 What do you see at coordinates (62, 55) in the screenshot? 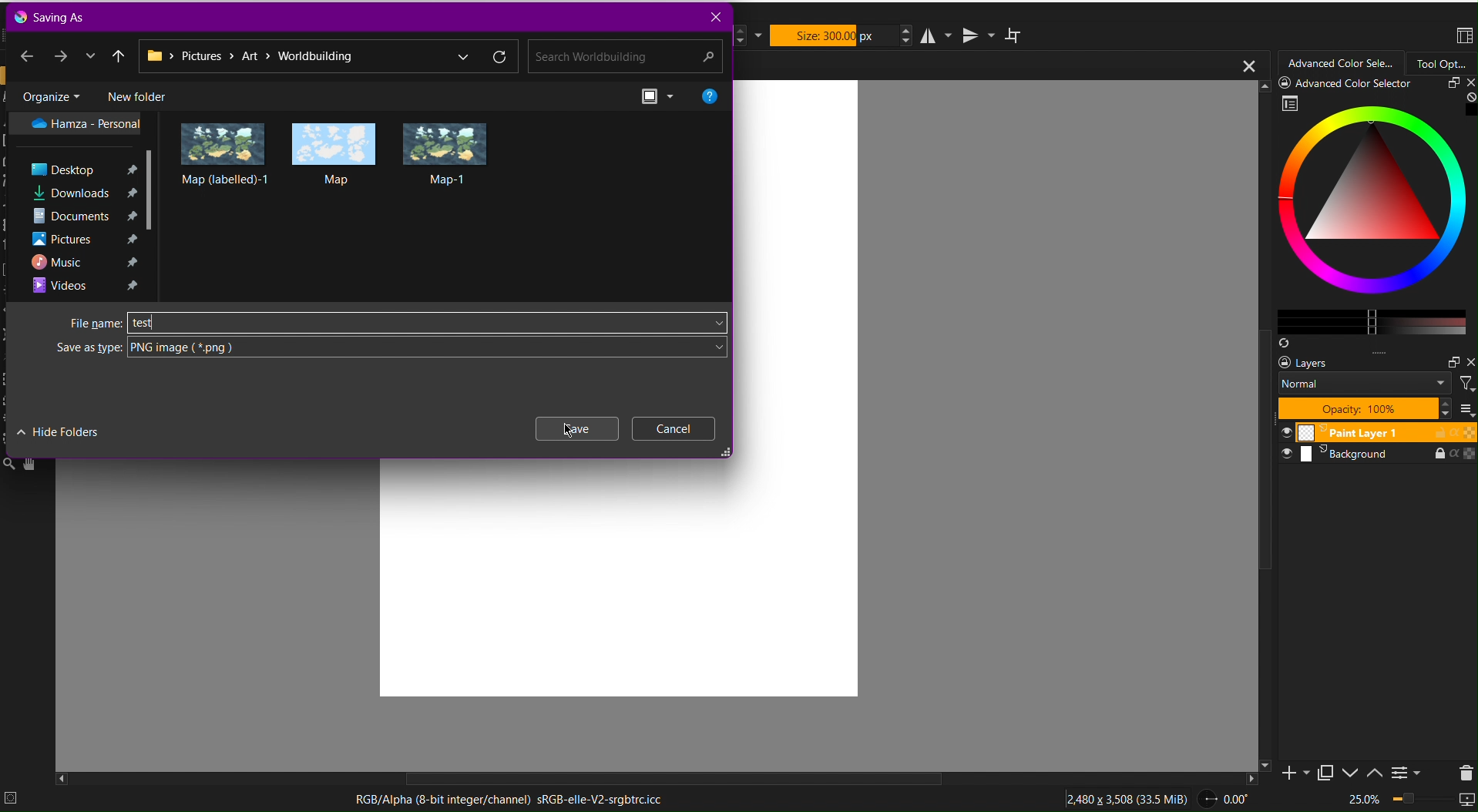
I see `Next` at bounding box center [62, 55].